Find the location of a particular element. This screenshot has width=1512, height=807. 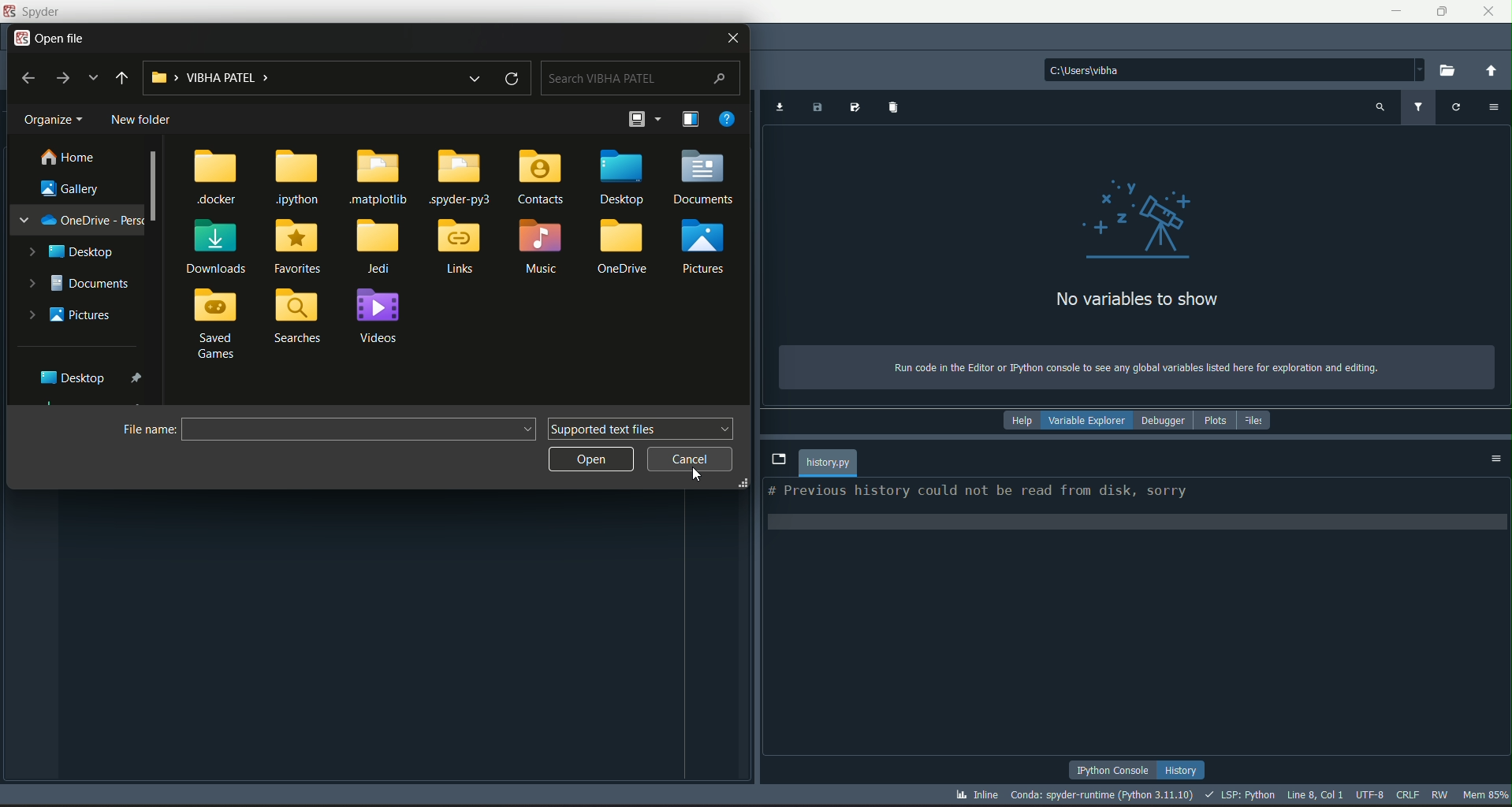

new folder is located at coordinates (143, 119).